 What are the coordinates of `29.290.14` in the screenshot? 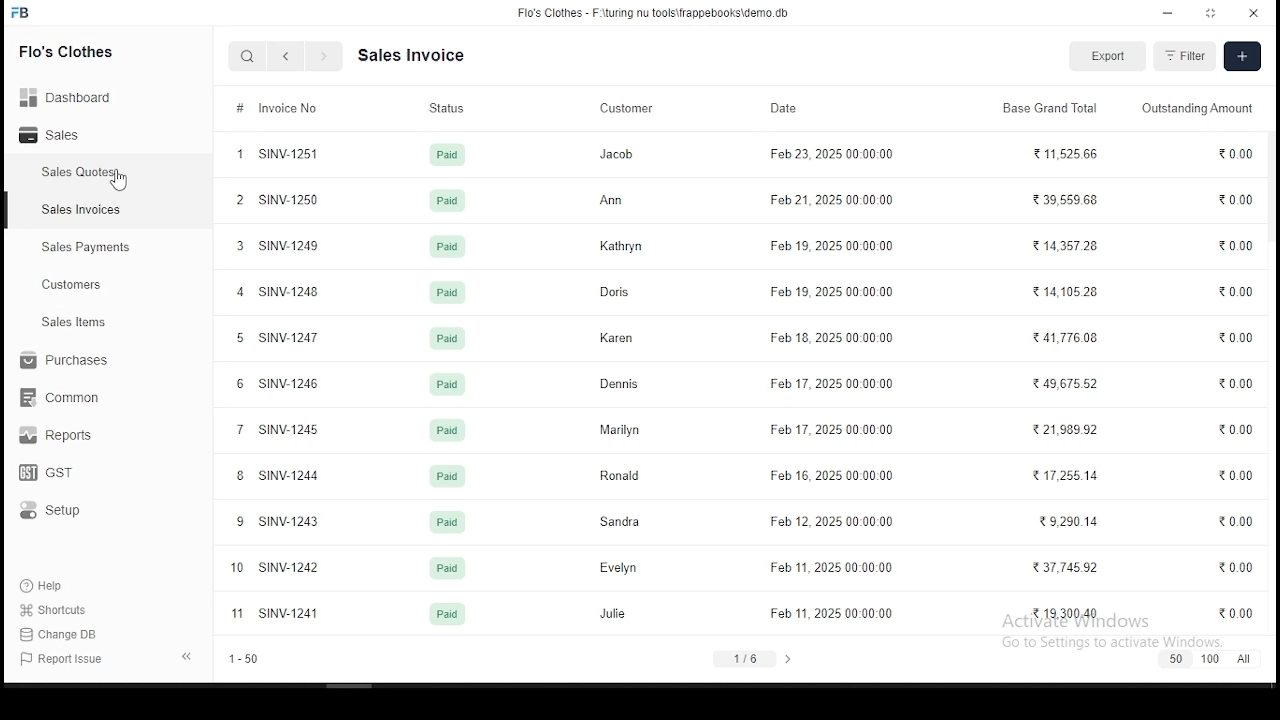 It's located at (1068, 517).